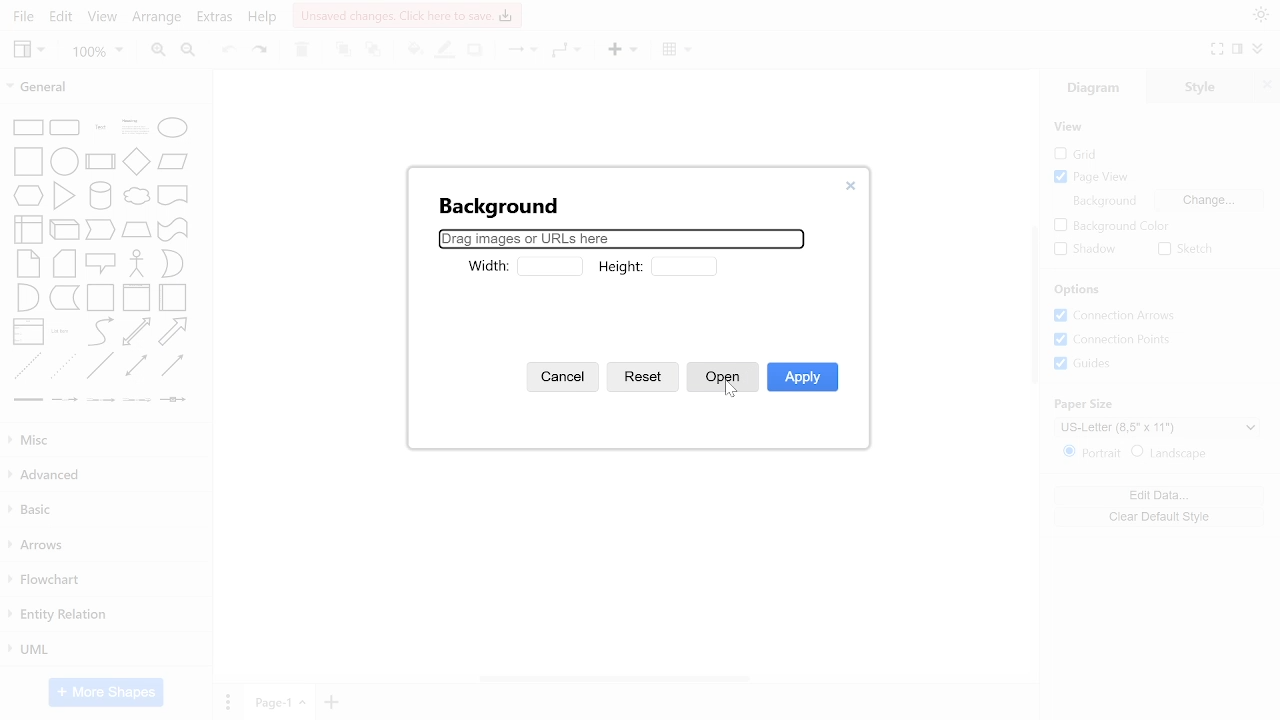  Describe the element at coordinates (105, 510) in the screenshot. I see `basic` at that location.